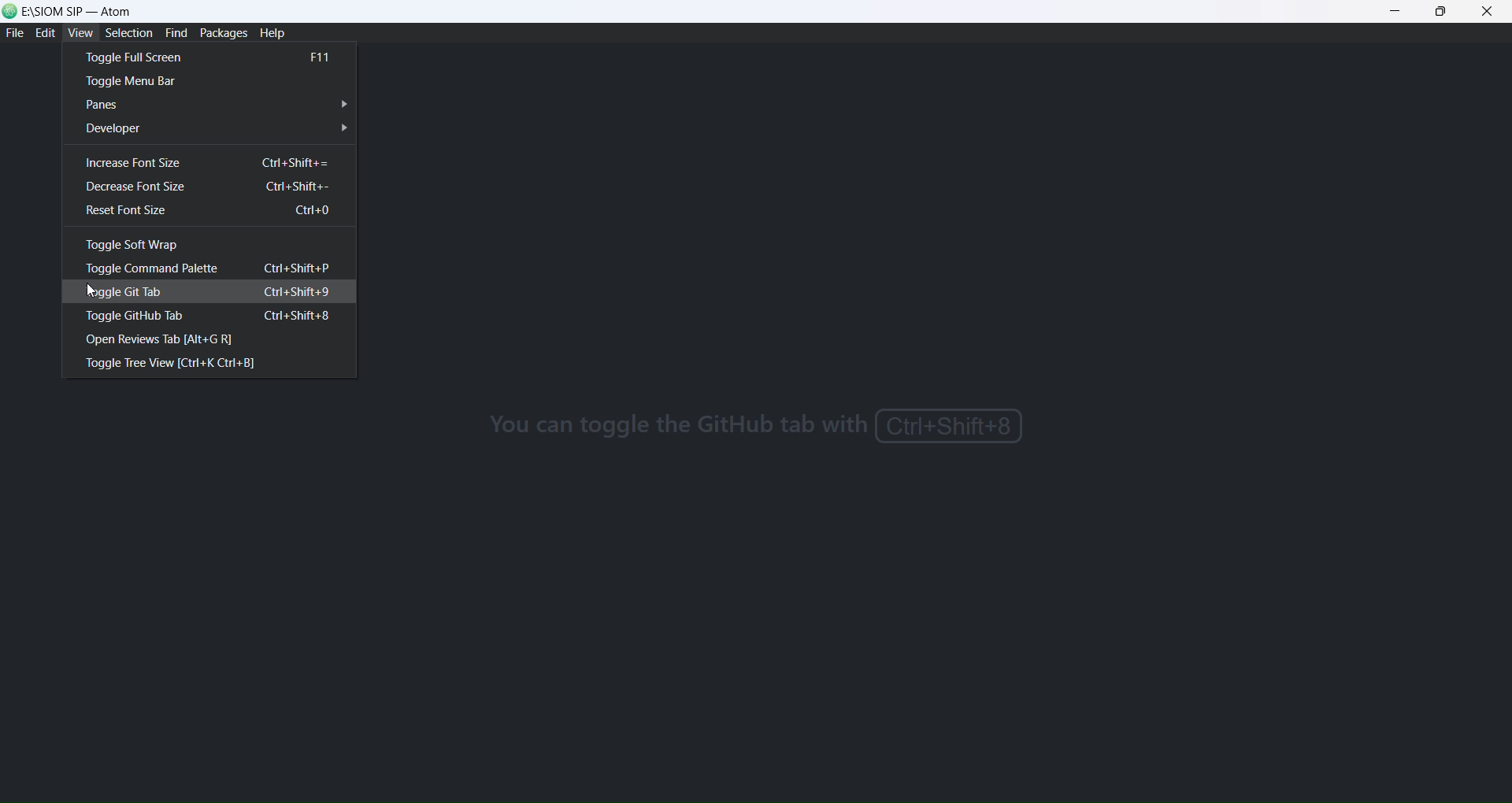 This screenshot has height=803, width=1512. What do you see at coordinates (81, 35) in the screenshot?
I see `view` at bounding box center [81, 35].